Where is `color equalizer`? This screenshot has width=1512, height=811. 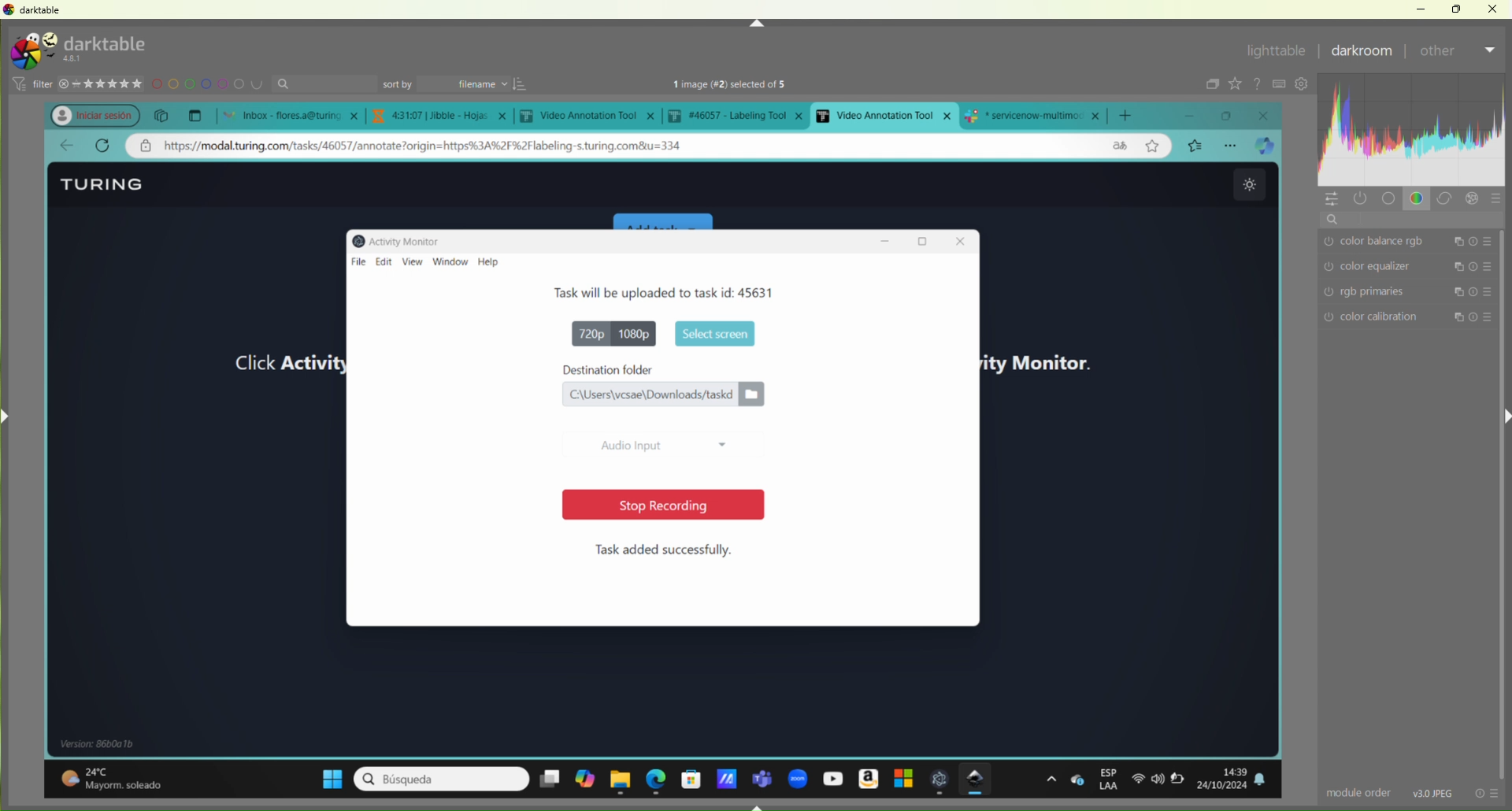 color equalizer is located at coordinates (1413, 268).